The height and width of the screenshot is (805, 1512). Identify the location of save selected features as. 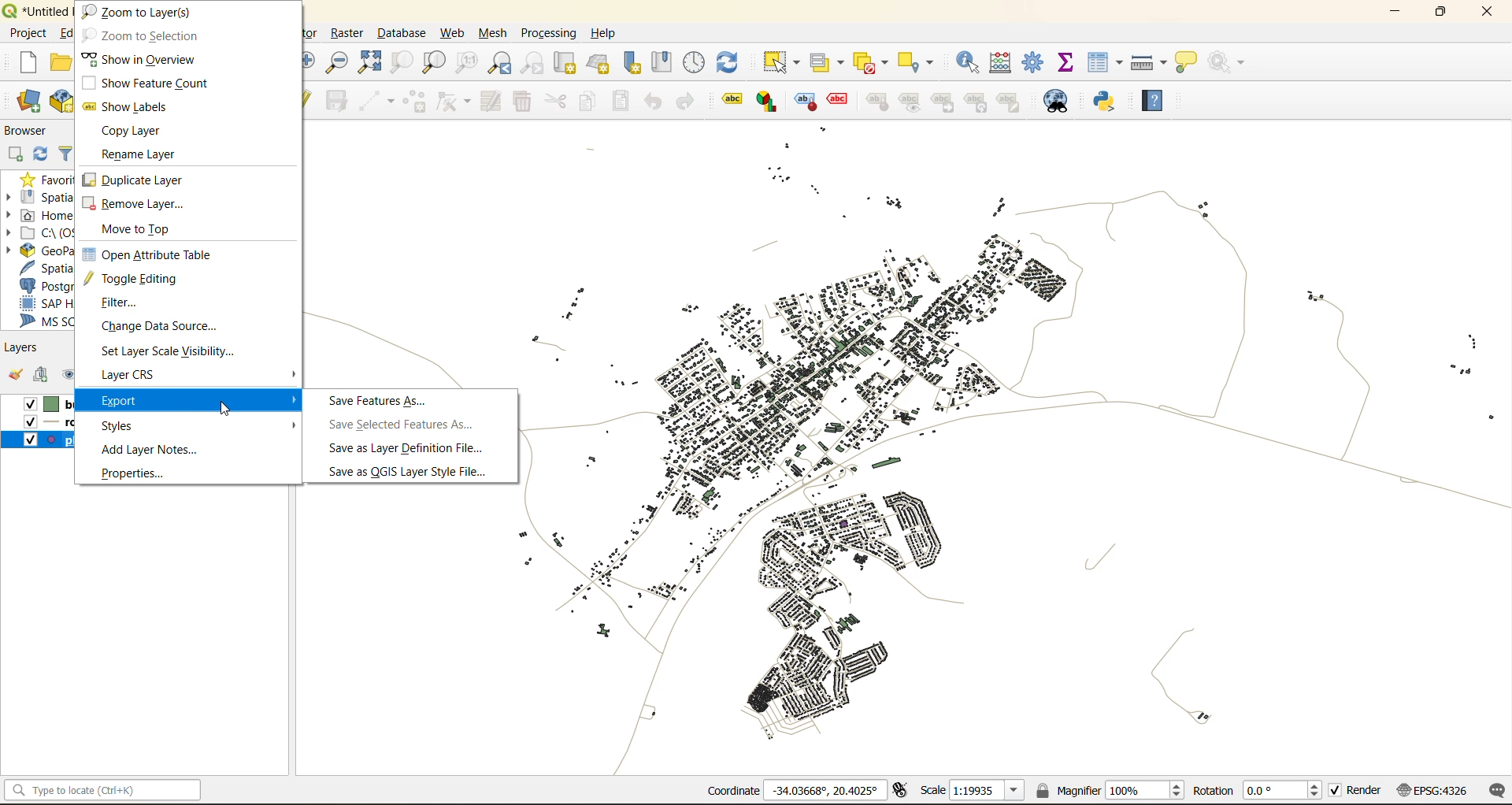
(407, 425).